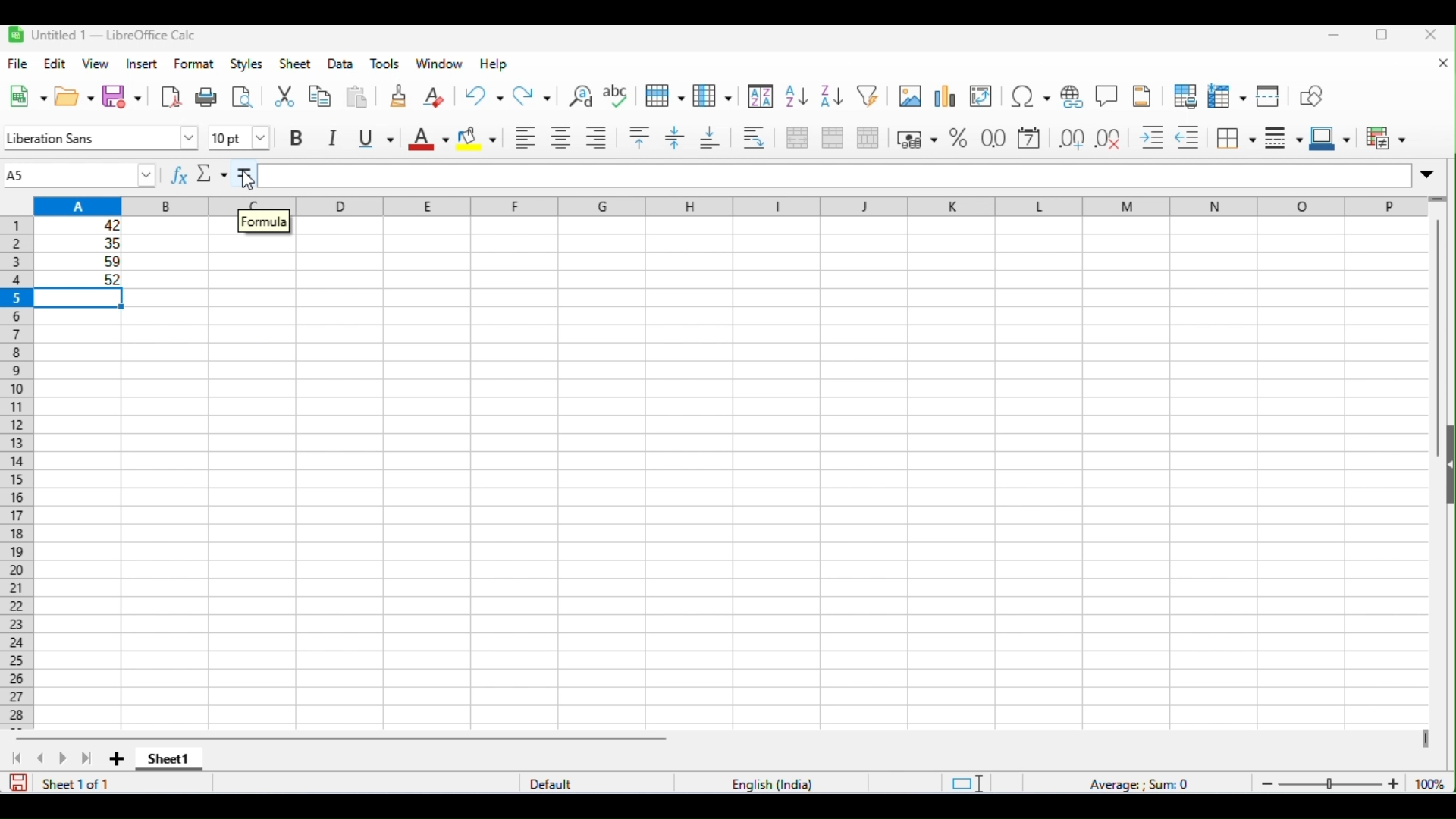 This screenshot has width=1456, height=819. What do you see at coordinates (81, 251) in the screenshot?
I see `range of cells` at bounding box center [81, 251].